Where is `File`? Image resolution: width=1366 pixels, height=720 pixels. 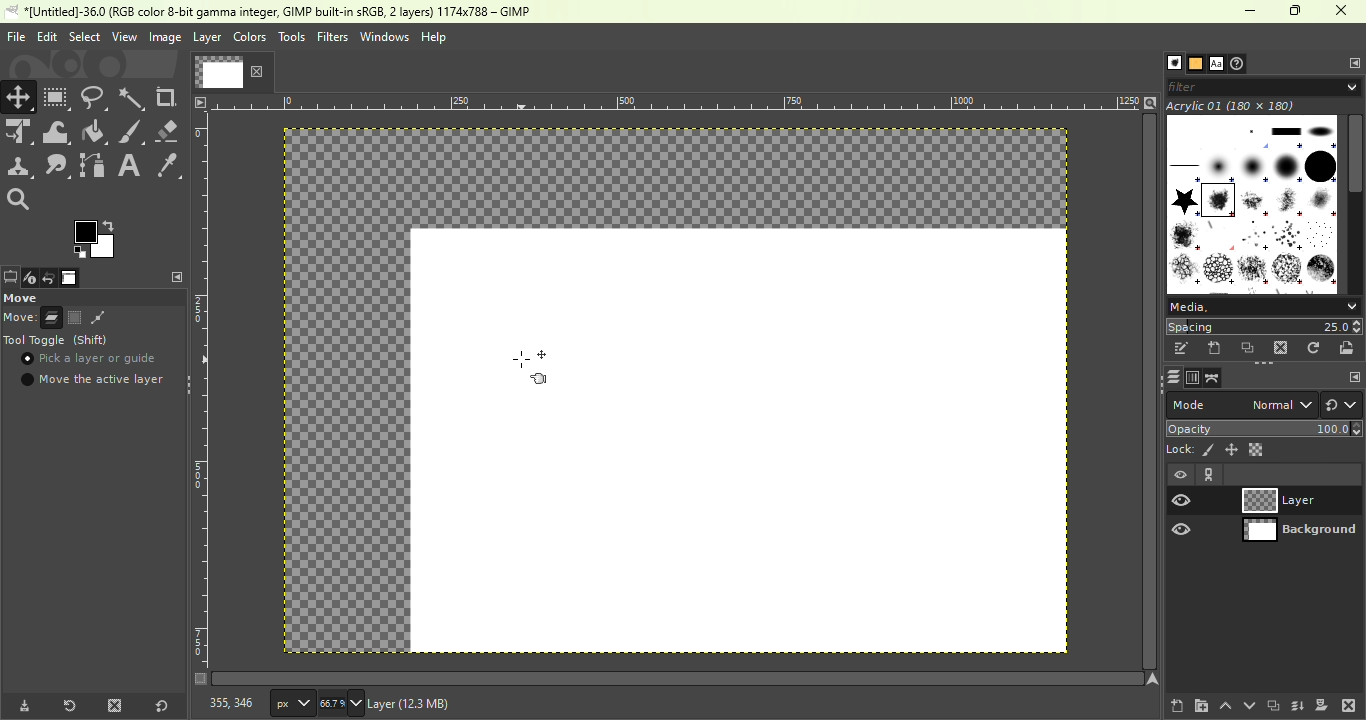
File is located at coordinates (14, 36).